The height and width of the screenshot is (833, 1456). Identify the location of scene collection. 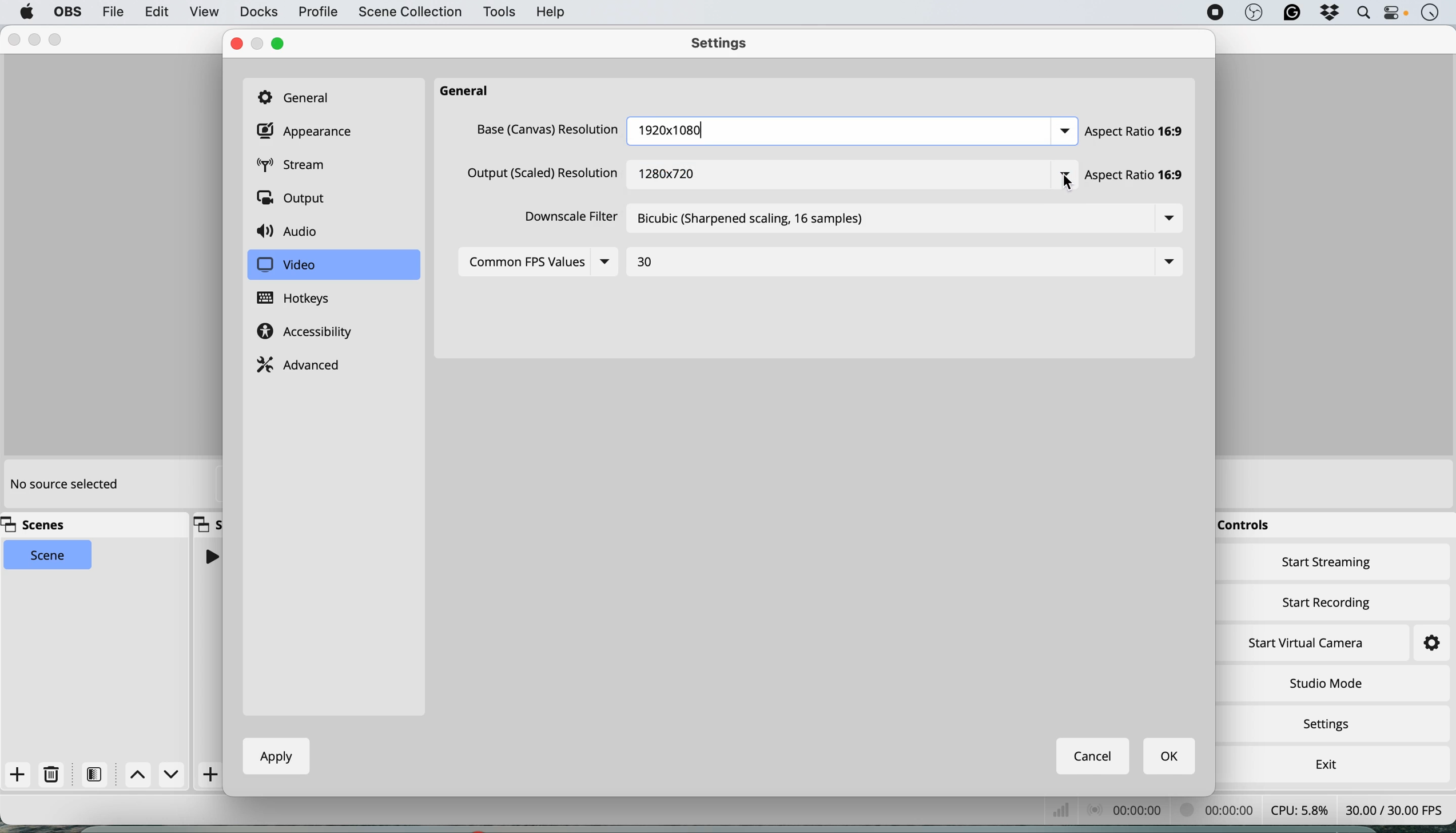
(409, 13).